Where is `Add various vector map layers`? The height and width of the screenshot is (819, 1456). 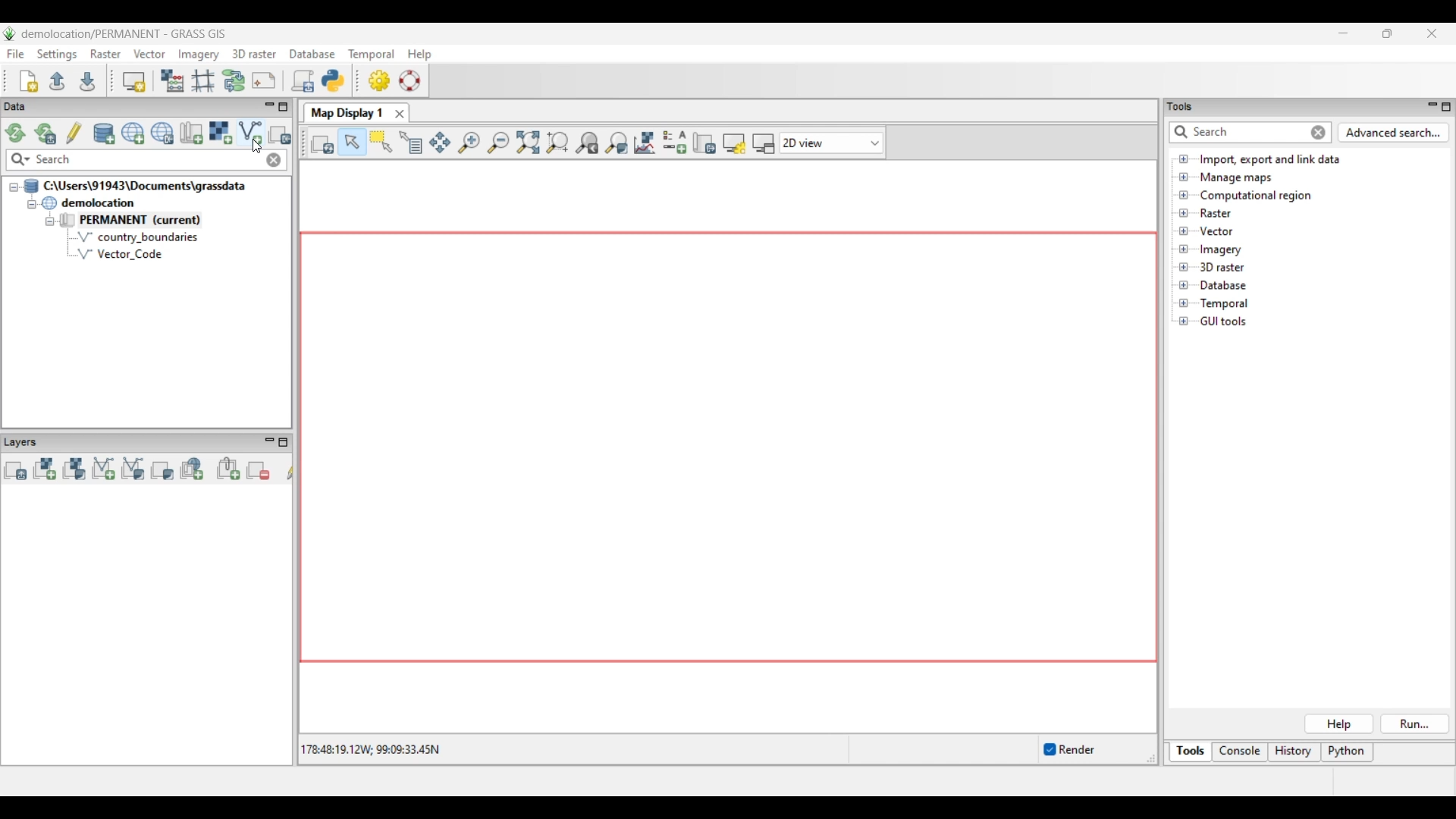 Add various vector map layers is located at coordinates (131, 469).